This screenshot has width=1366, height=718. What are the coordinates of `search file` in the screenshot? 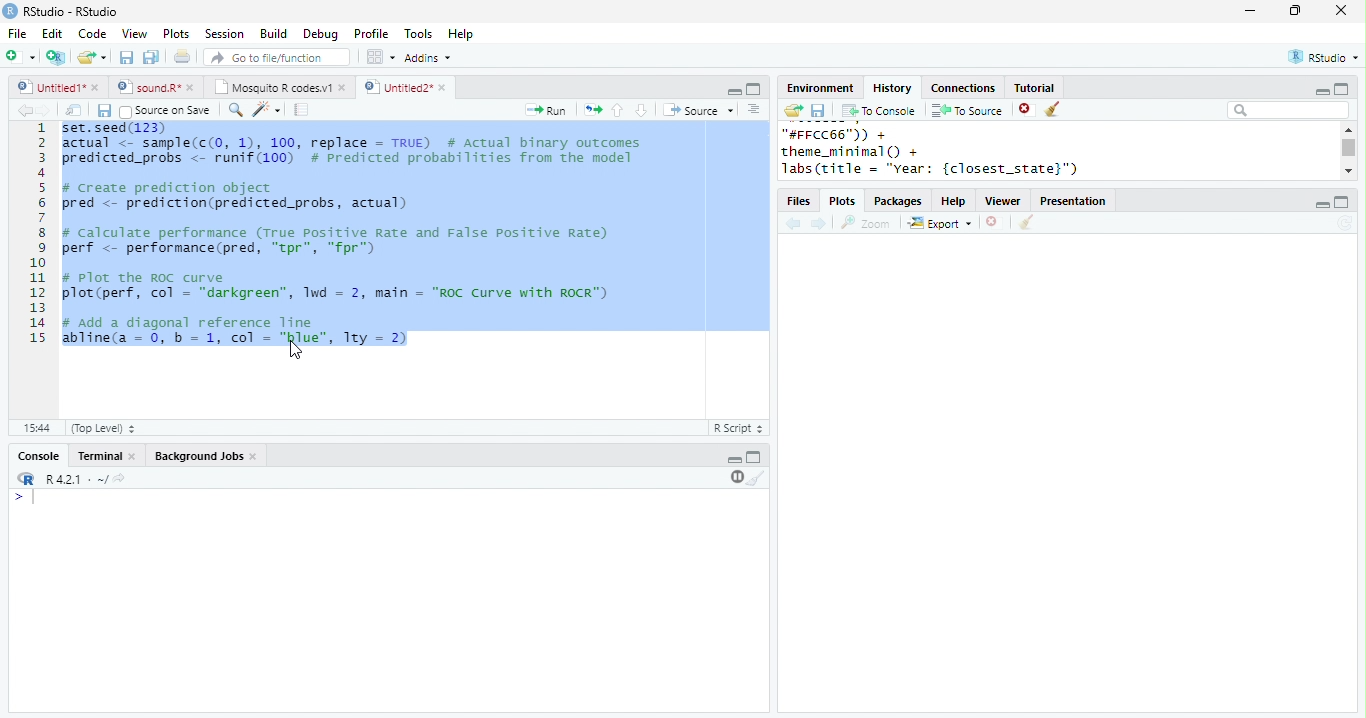 It's located at (278, 57).